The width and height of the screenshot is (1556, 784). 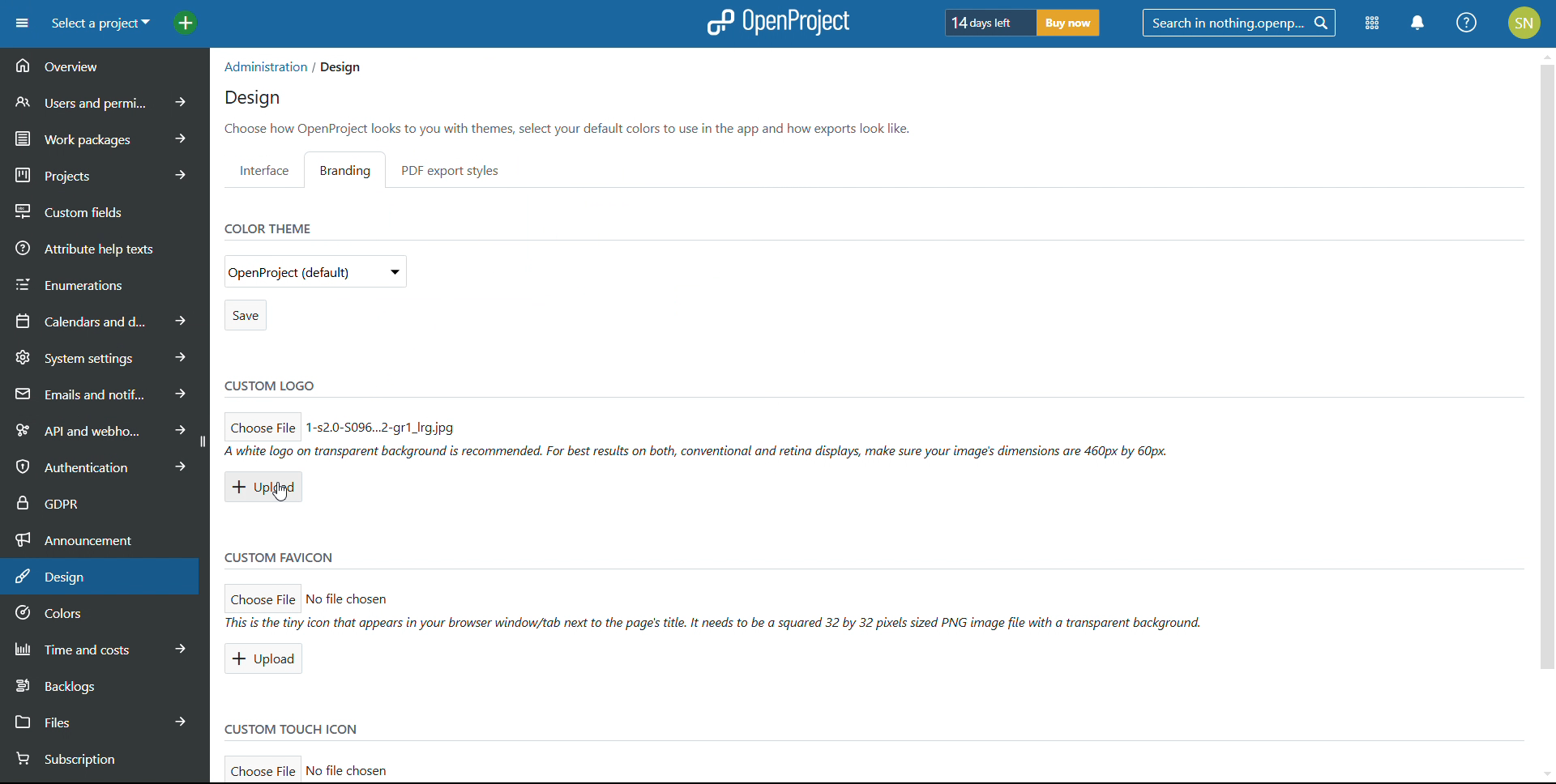 I want to click on / Design, so click(x=337, y=68).